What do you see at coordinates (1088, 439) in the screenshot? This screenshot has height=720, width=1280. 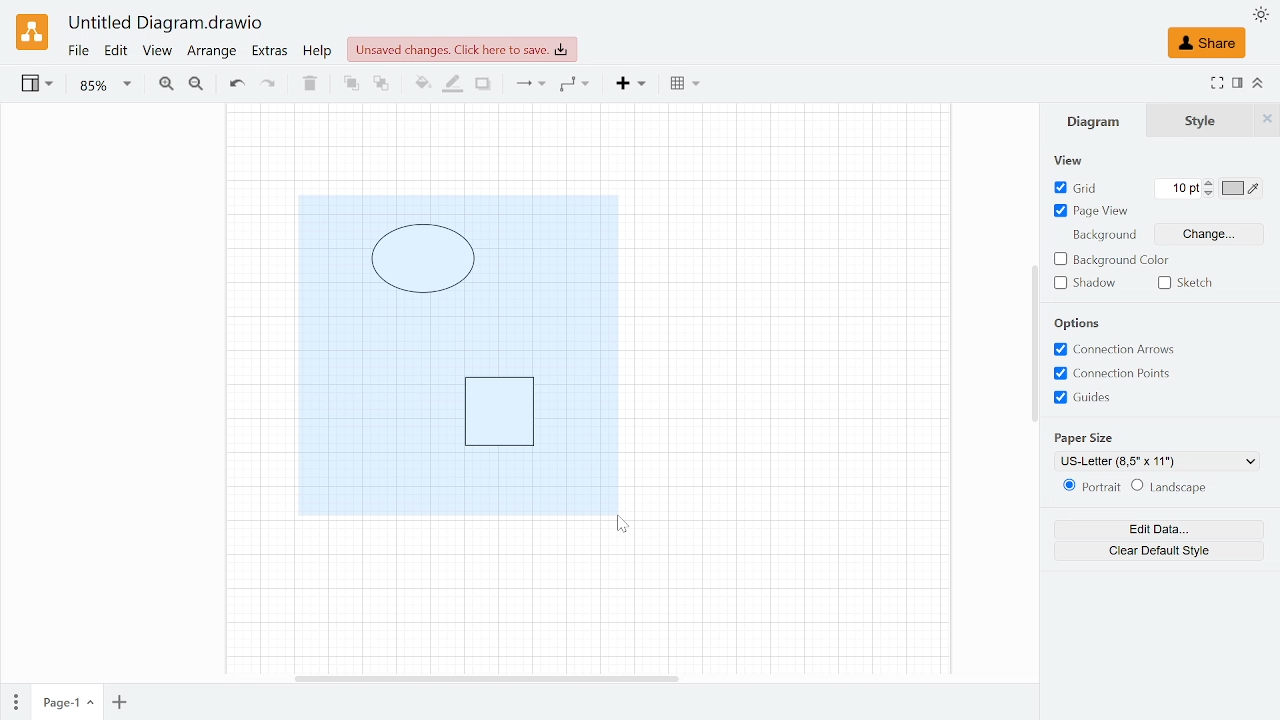 I see `paper size` at bounding box center [1088, 439].